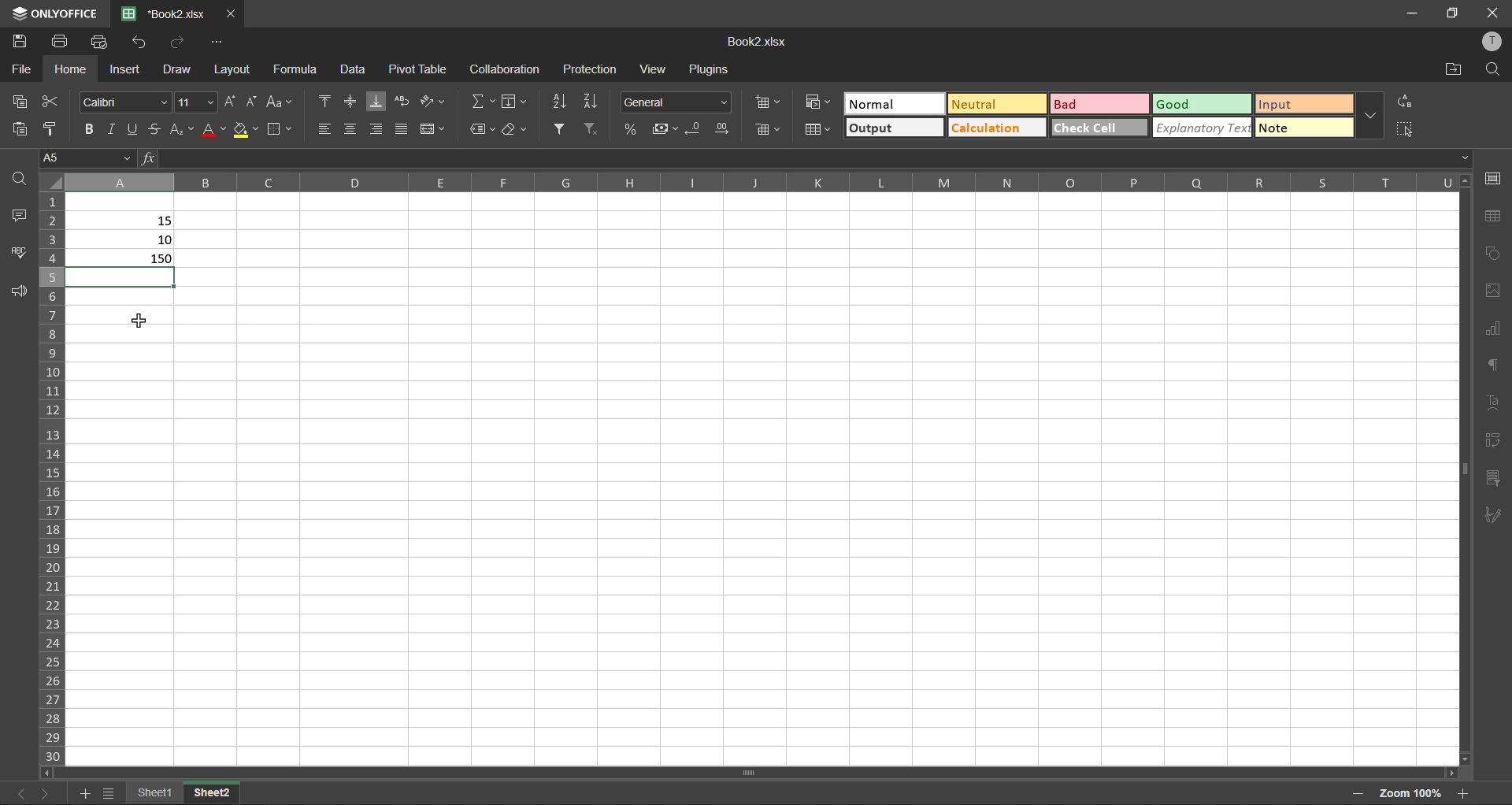  What do you see at coordinates (172, 41) in the screenshot?
I see `redo` at bounding box center [172, 41].